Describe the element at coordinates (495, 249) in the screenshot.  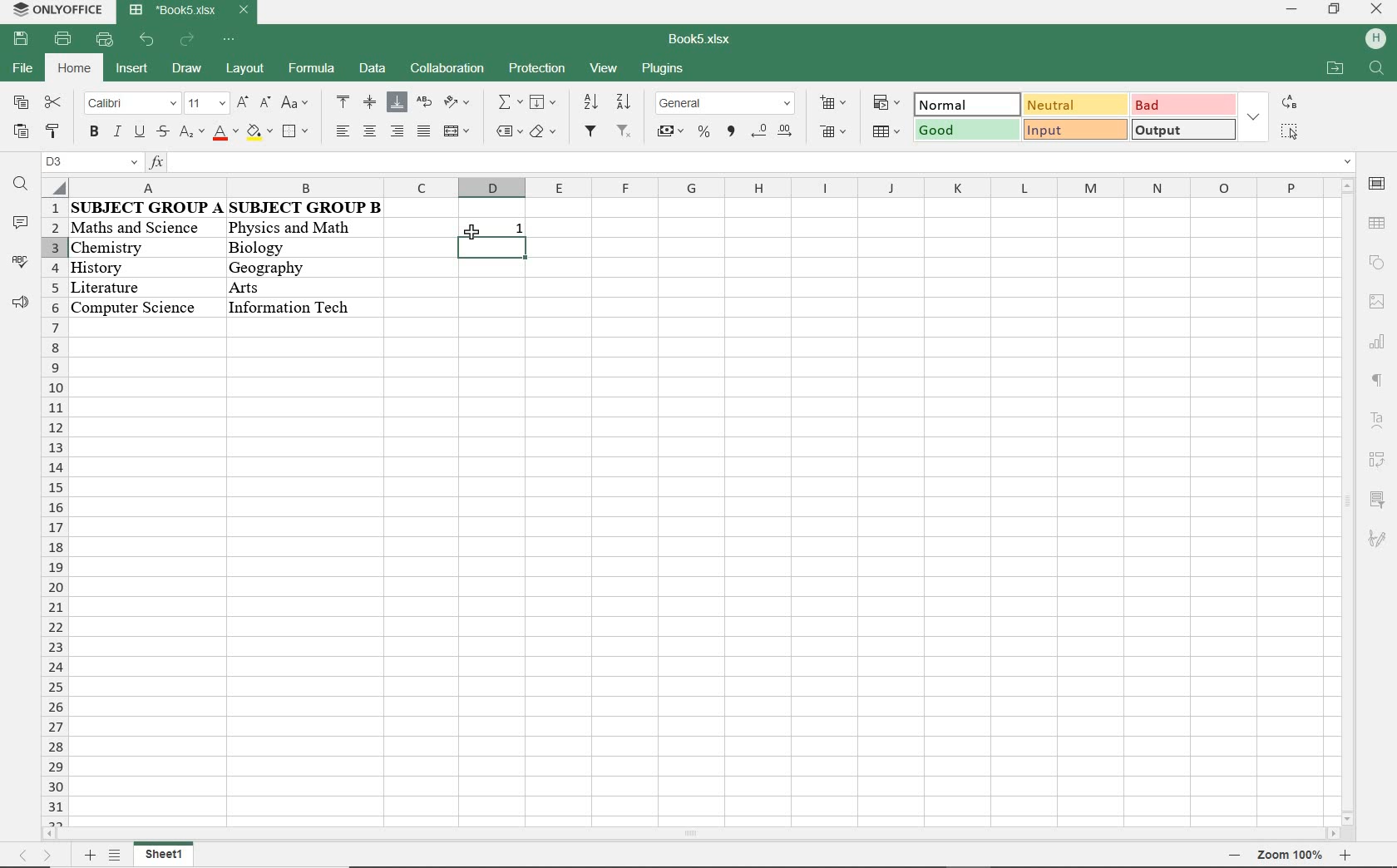
I see `typed formula` at that location.